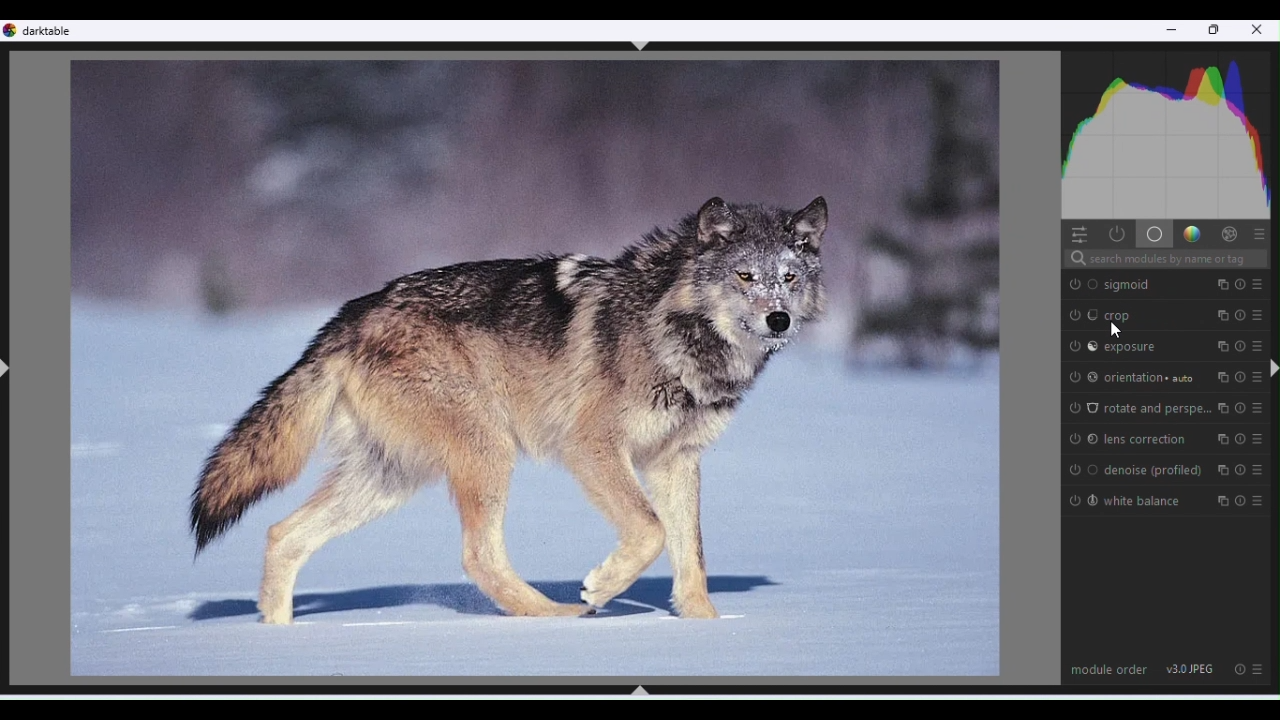 The height and width of the screenshot is (720, 1280). What do you see at coordinates (8, 369) in the screenshot?
I see `ctrl+shift+l` at bounding box center [8, 369].